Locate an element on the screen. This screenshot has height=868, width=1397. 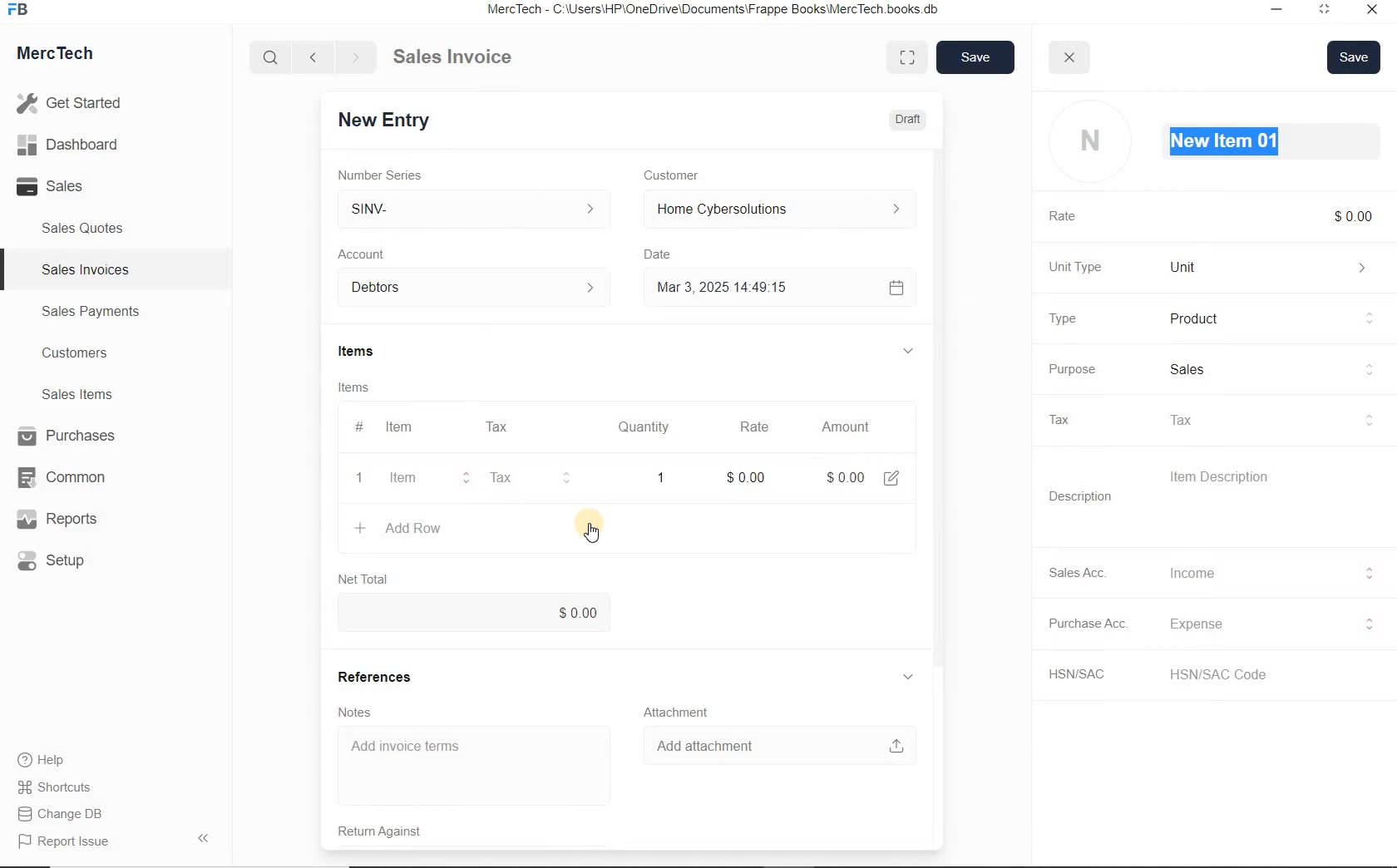
Sales Items is located at coordinates (88, 394).